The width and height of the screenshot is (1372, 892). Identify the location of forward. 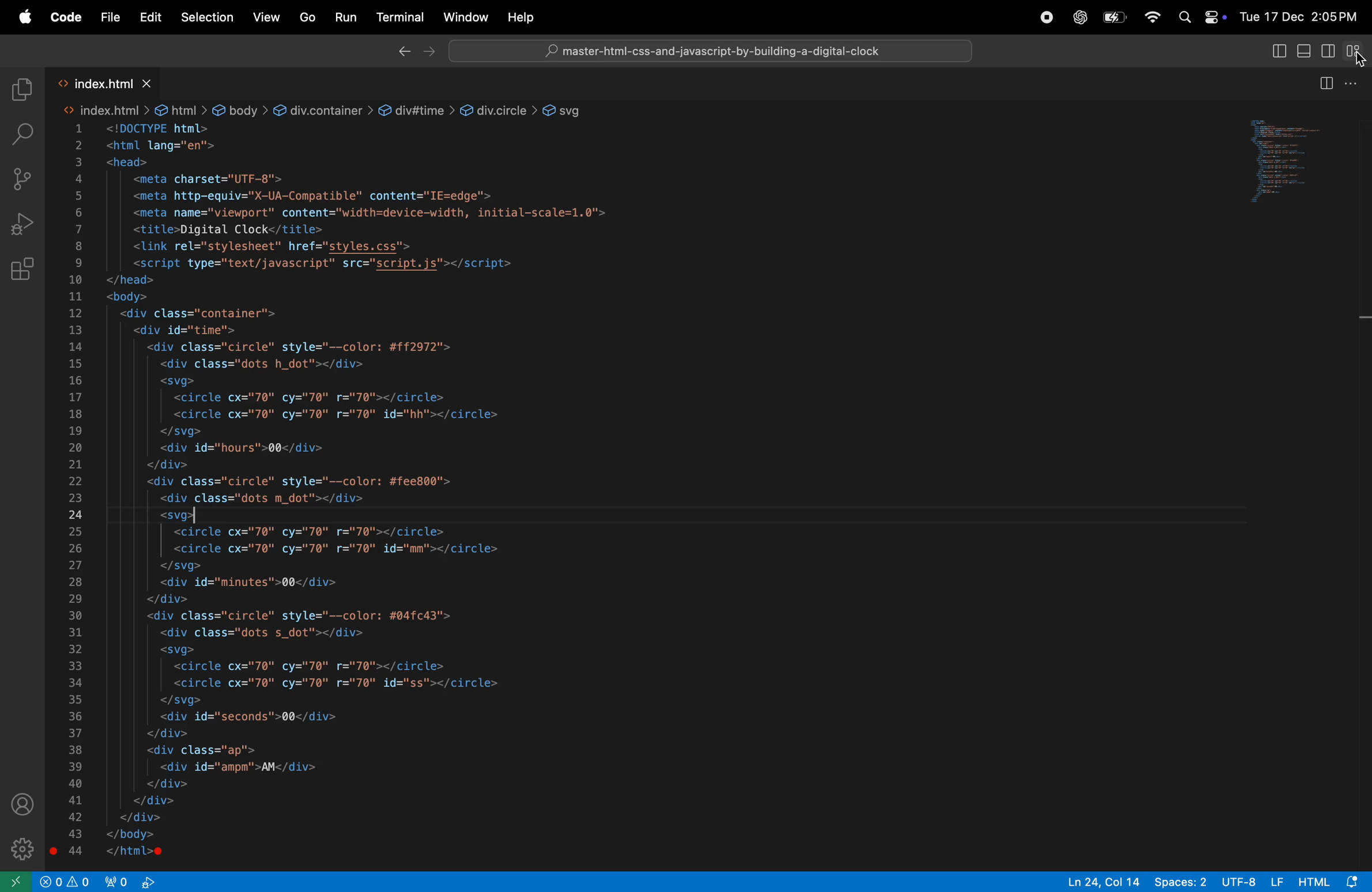
(432, 52).